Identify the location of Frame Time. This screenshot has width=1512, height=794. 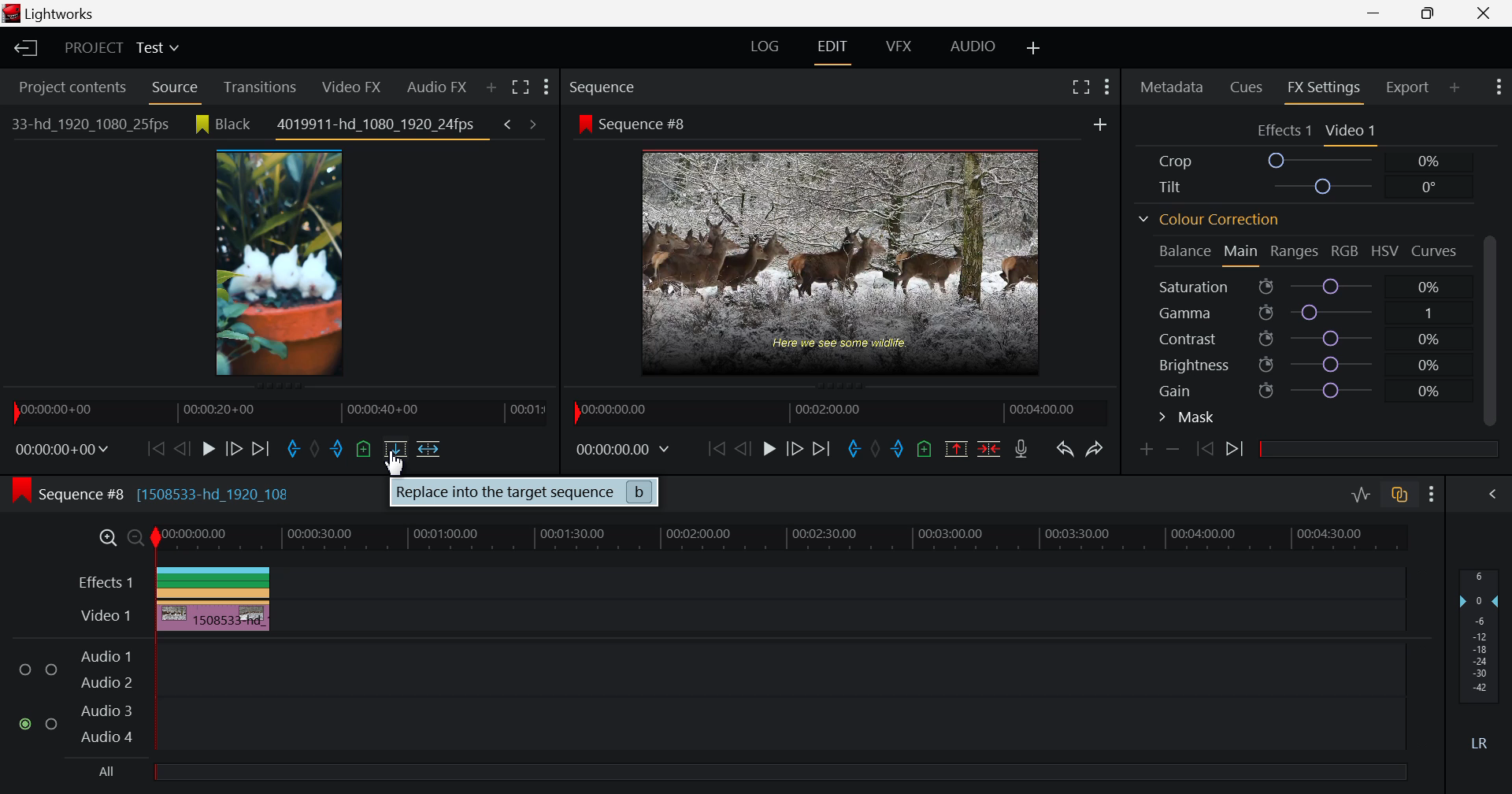
(625, 447).